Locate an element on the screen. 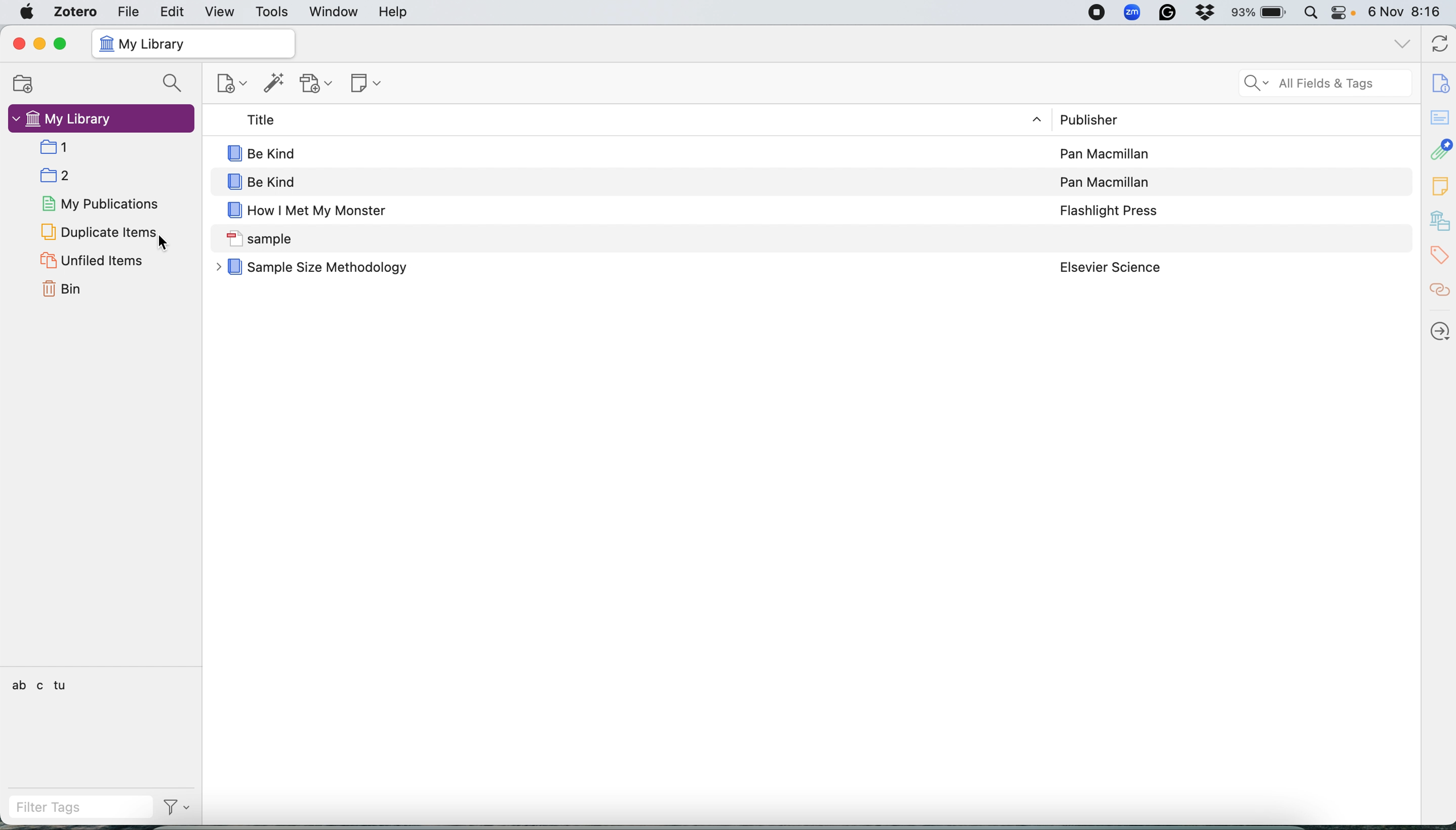  control center is located at coordinates (1344, 13).